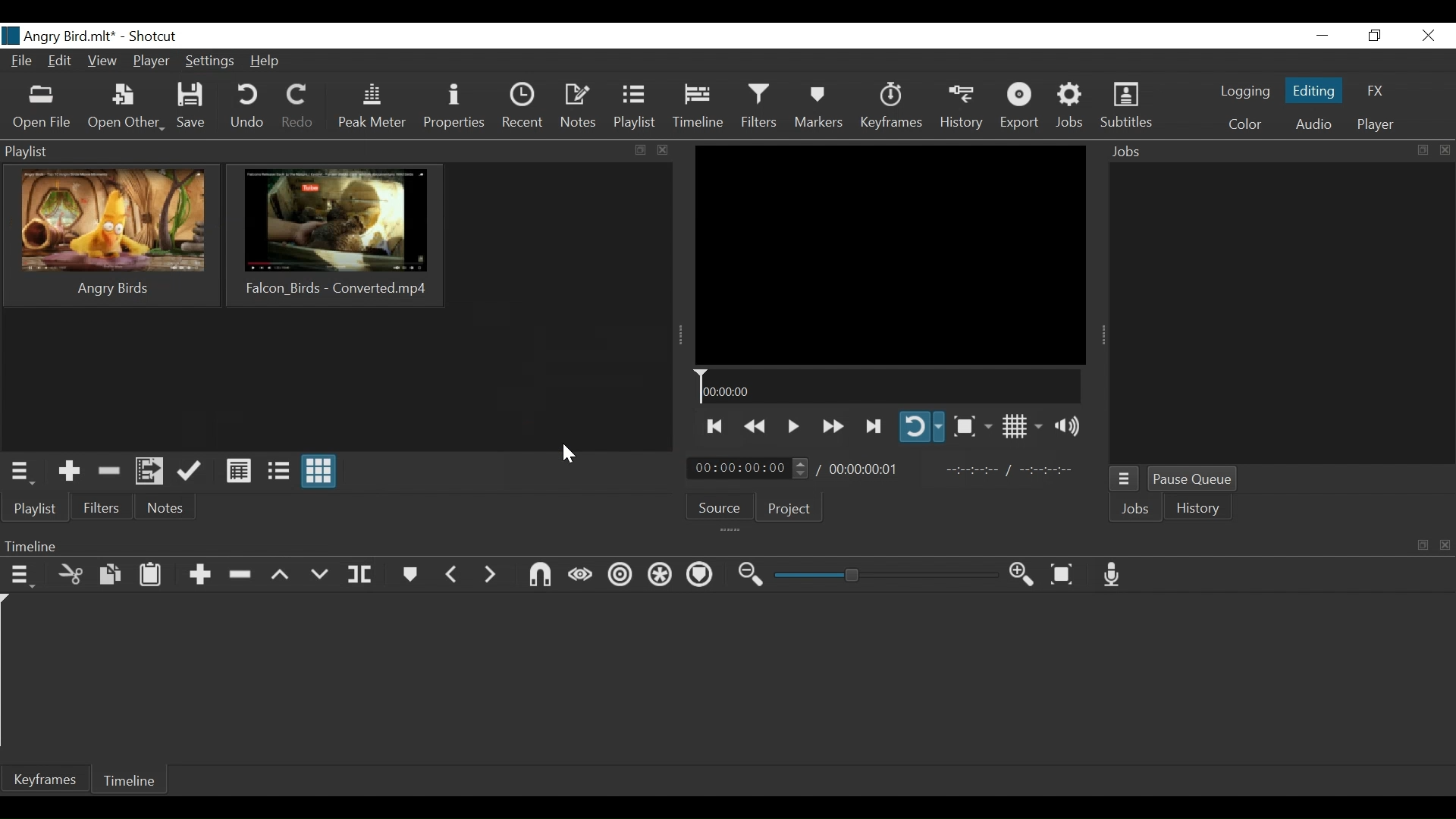  Describe the element at coordinates (1280, 149) in the screenshot. I see `Jobs Panel` at that location.